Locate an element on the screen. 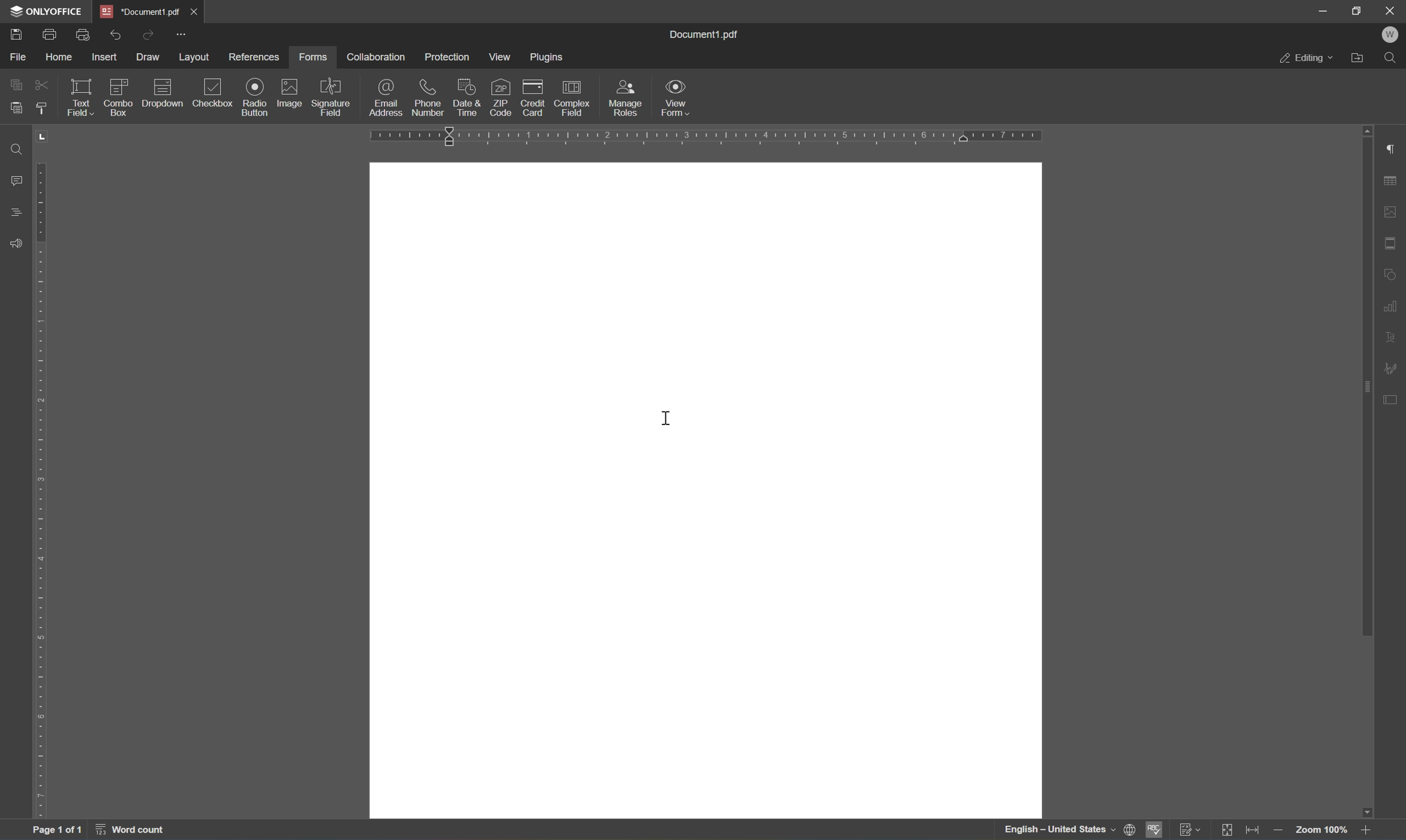 The width and height of the screenshot is (1406, 840). references is located at coordinates (255, 55).